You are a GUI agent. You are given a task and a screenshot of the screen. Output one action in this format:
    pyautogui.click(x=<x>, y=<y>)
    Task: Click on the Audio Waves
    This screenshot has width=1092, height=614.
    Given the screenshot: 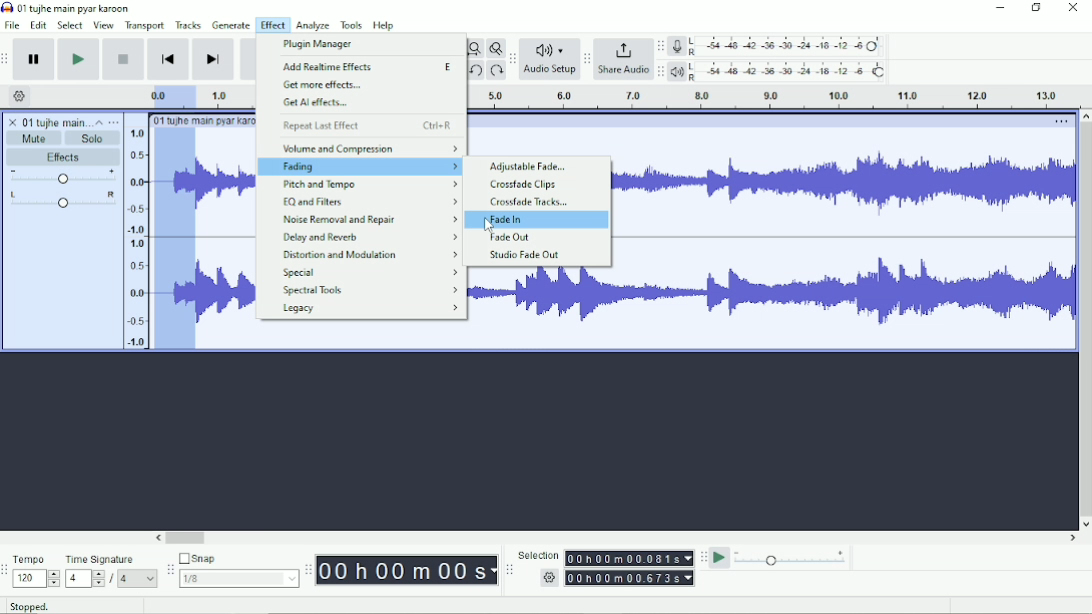 What is the action you would take?
    pyautogui.click(x=846, y=293)
    